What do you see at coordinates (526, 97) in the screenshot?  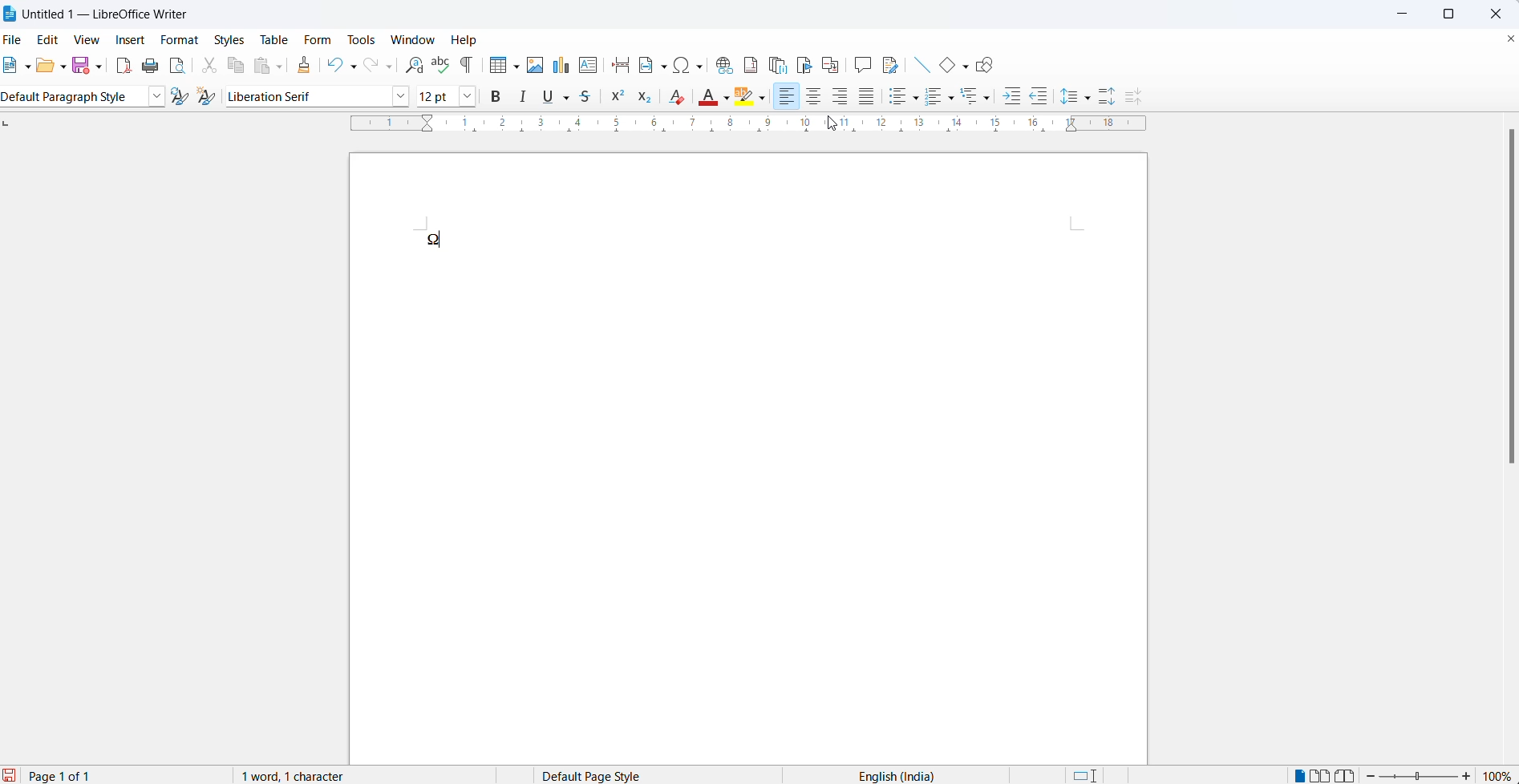 I see `italic` at bounding box center [526, 97].